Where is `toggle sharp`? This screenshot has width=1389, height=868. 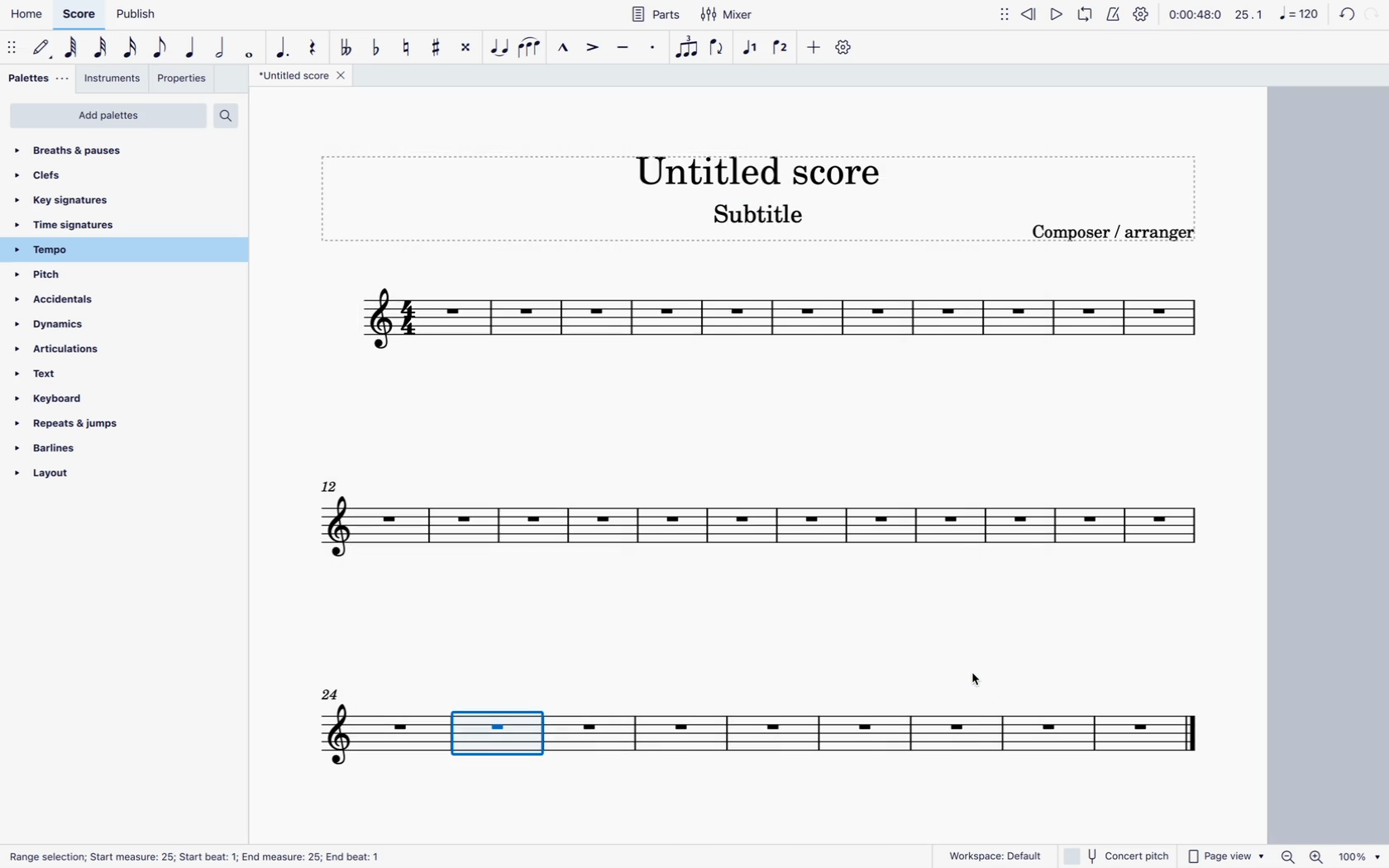
toggle sharp is located at coordinates (437, 47).